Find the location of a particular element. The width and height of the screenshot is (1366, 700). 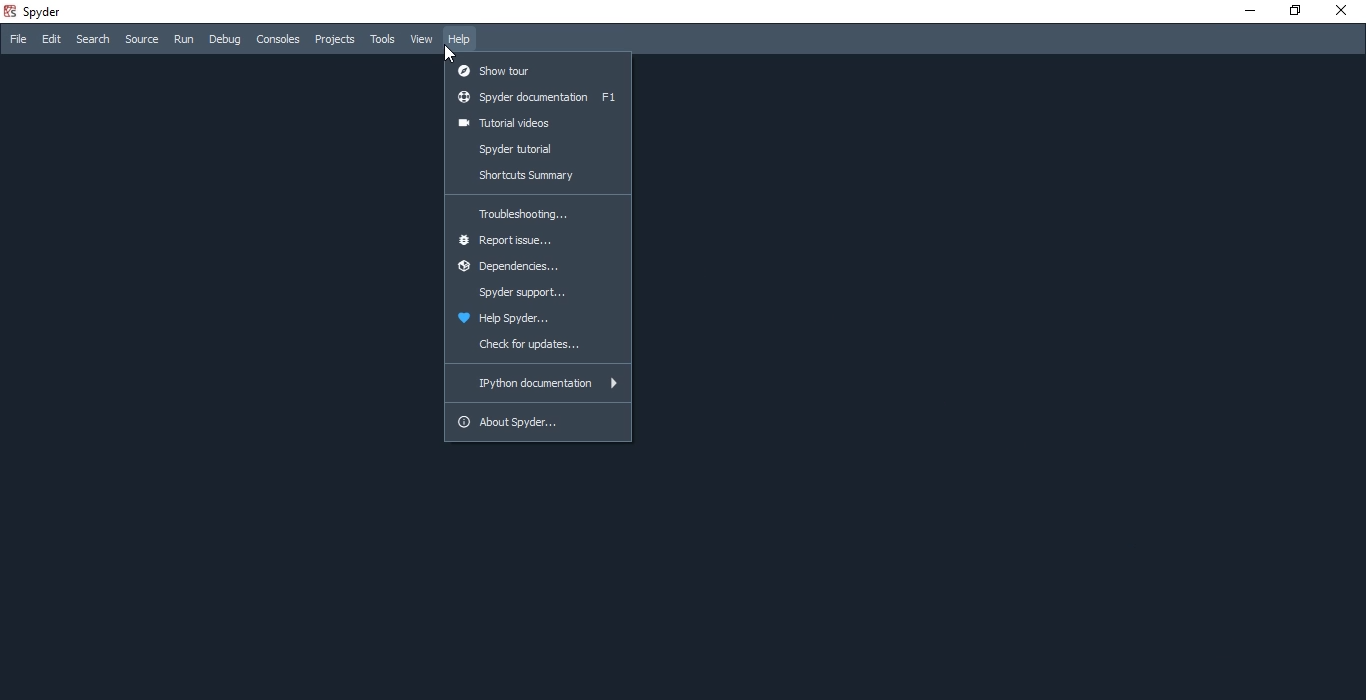

check for updates is located at coordinates (536, 347).